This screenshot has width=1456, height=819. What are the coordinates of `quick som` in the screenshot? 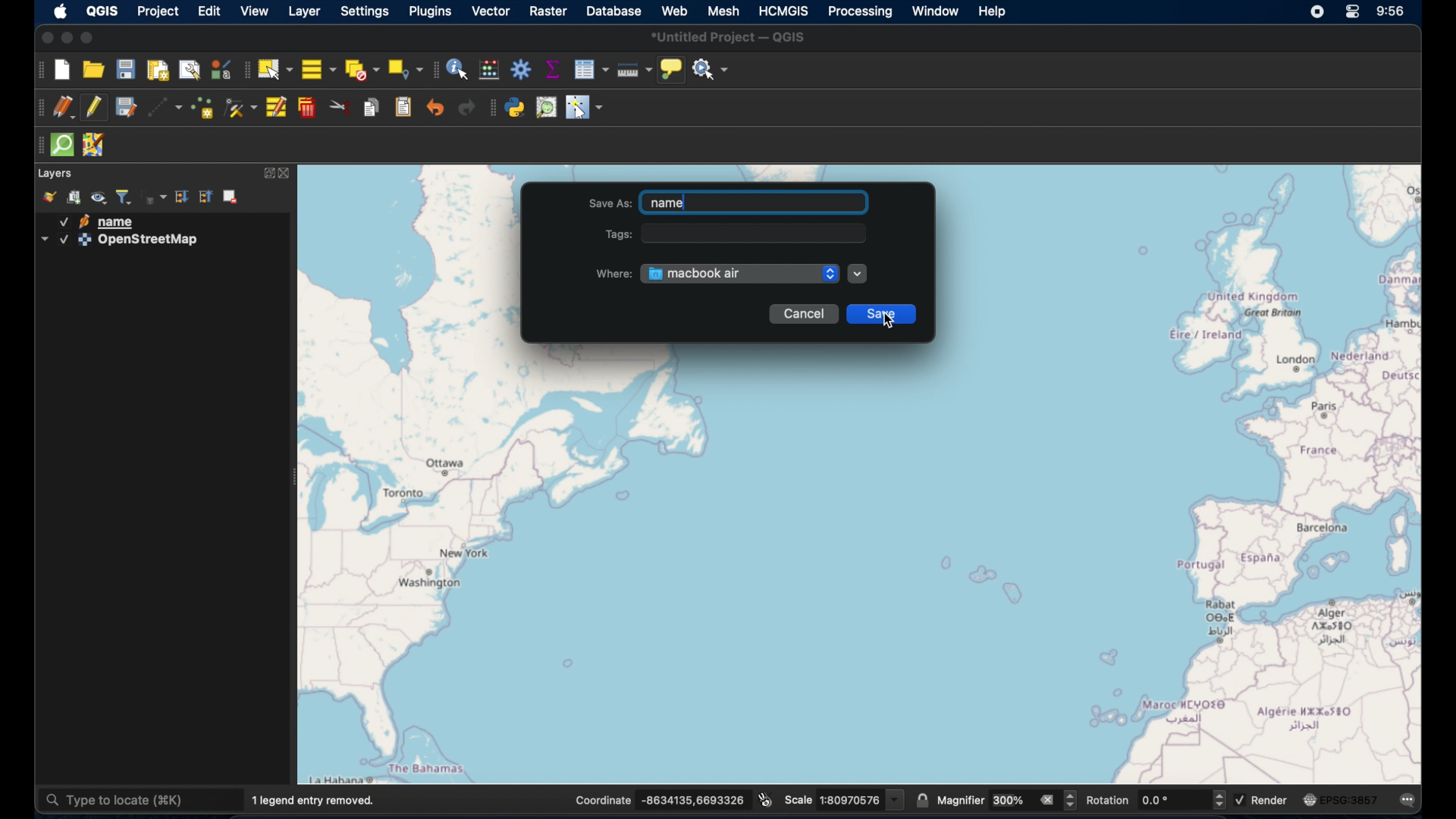 It's located at (64, 146).